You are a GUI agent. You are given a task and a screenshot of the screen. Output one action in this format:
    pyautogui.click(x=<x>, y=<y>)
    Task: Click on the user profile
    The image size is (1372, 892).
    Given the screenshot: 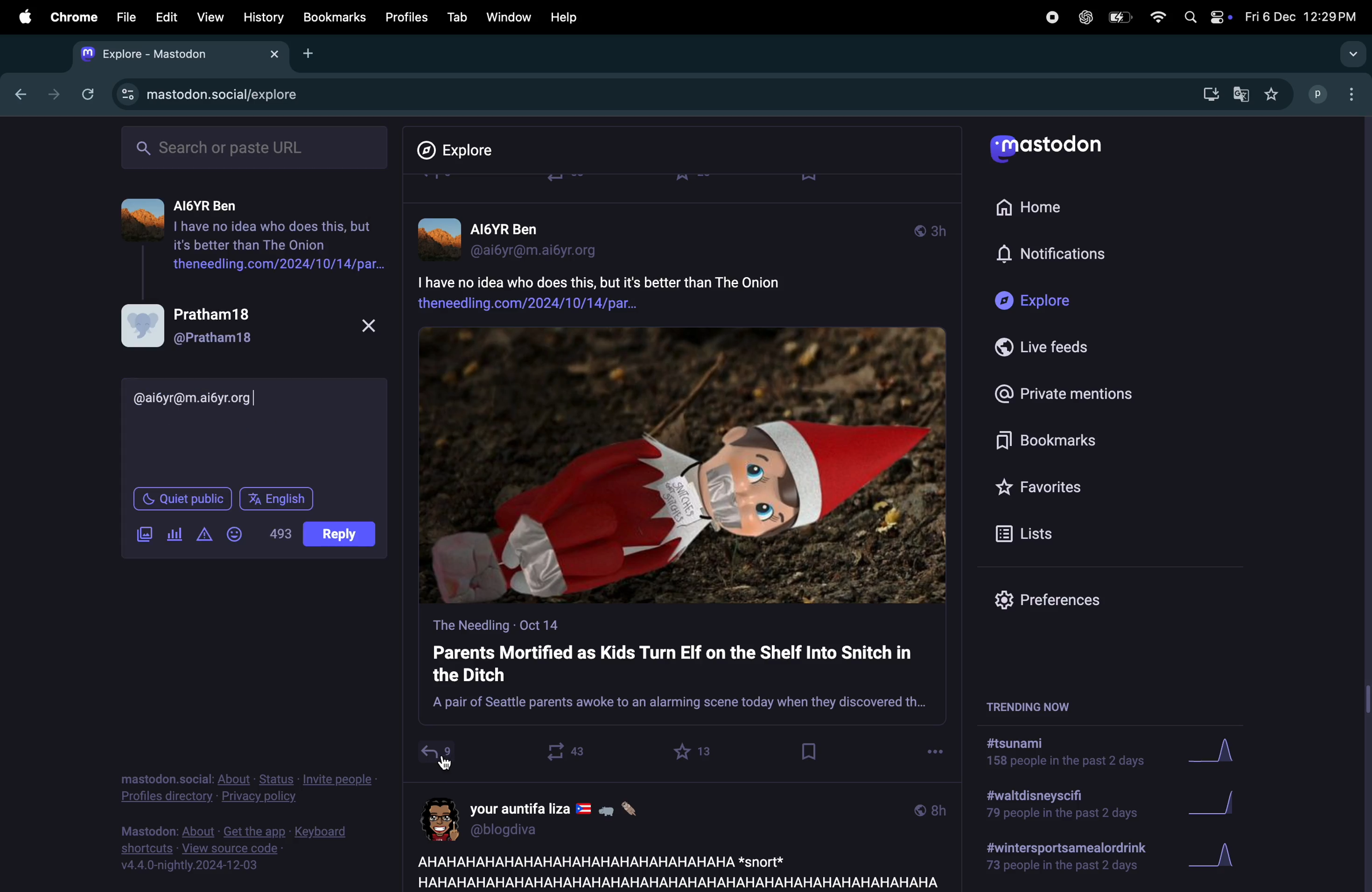 What is the action you would take?
    pyautogui.click(x=550, y=817)
    